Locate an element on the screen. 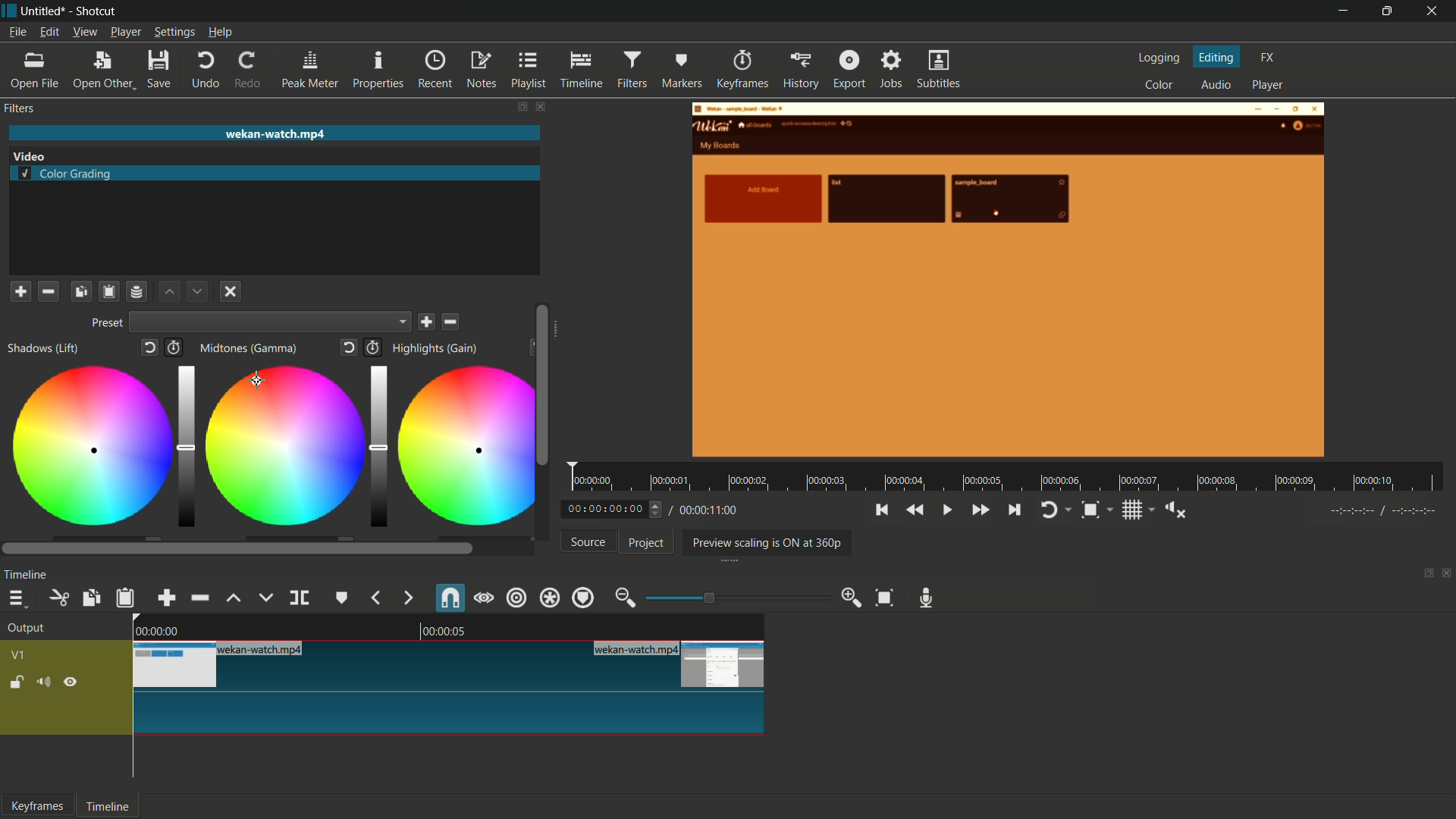  cursor is located at coordinates (258, 378).